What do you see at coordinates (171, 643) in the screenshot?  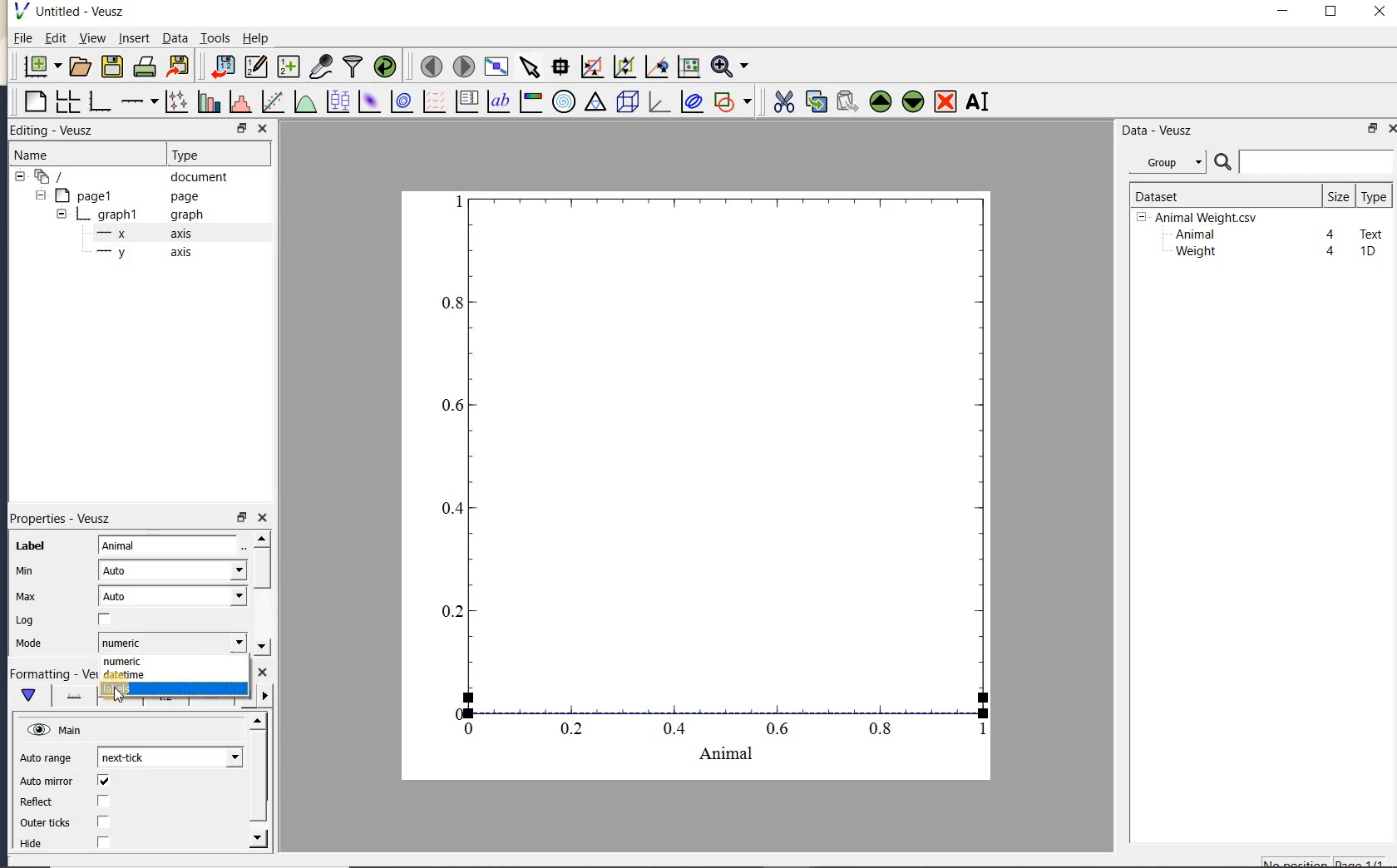 I see `Numeric` at bounding box center [171, 643].